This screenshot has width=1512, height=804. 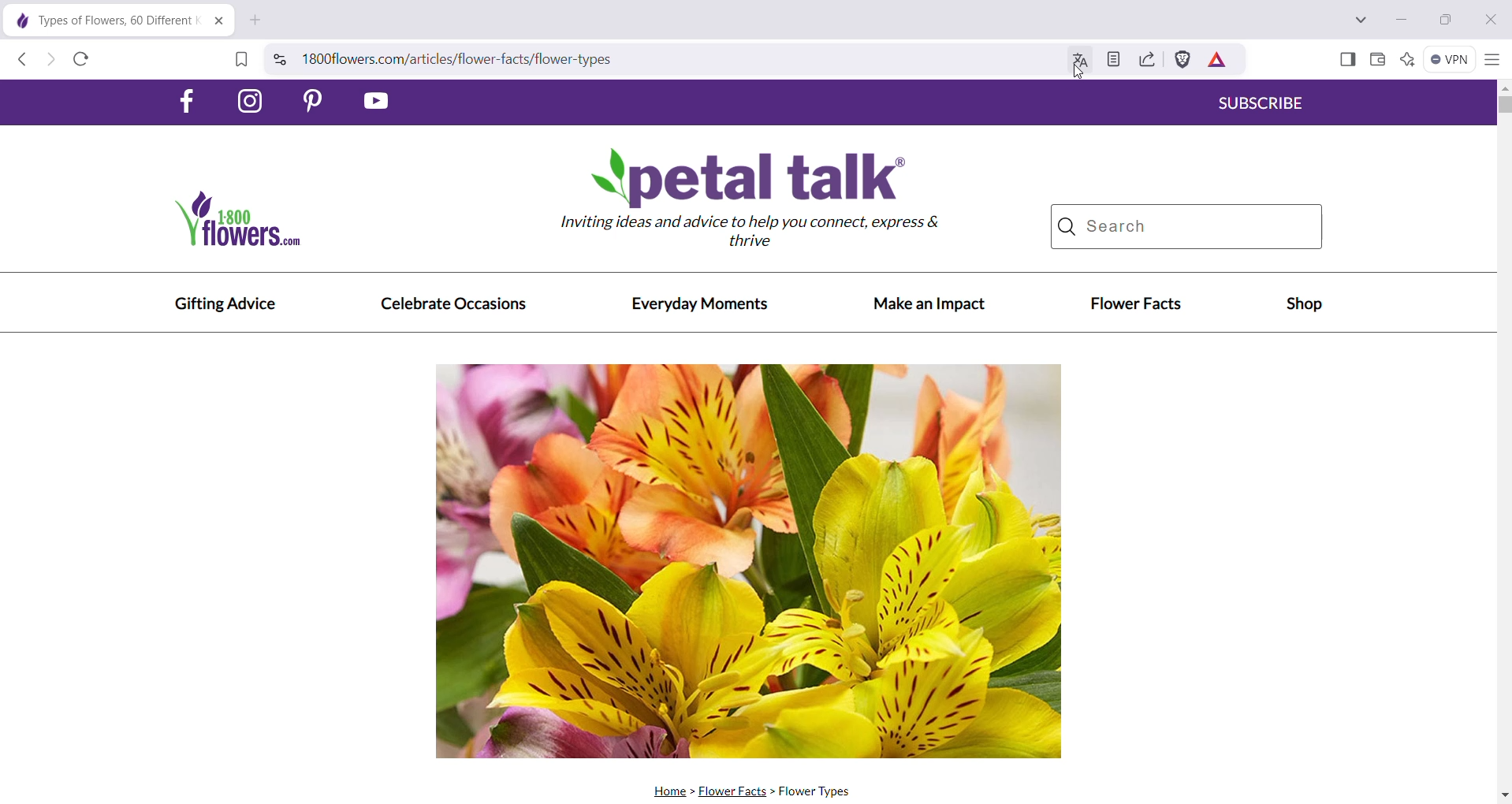 What do you see at coordinates (1076, 61) in the screenshot?
I see `Translate this page` at bounding box center [1076, 61].